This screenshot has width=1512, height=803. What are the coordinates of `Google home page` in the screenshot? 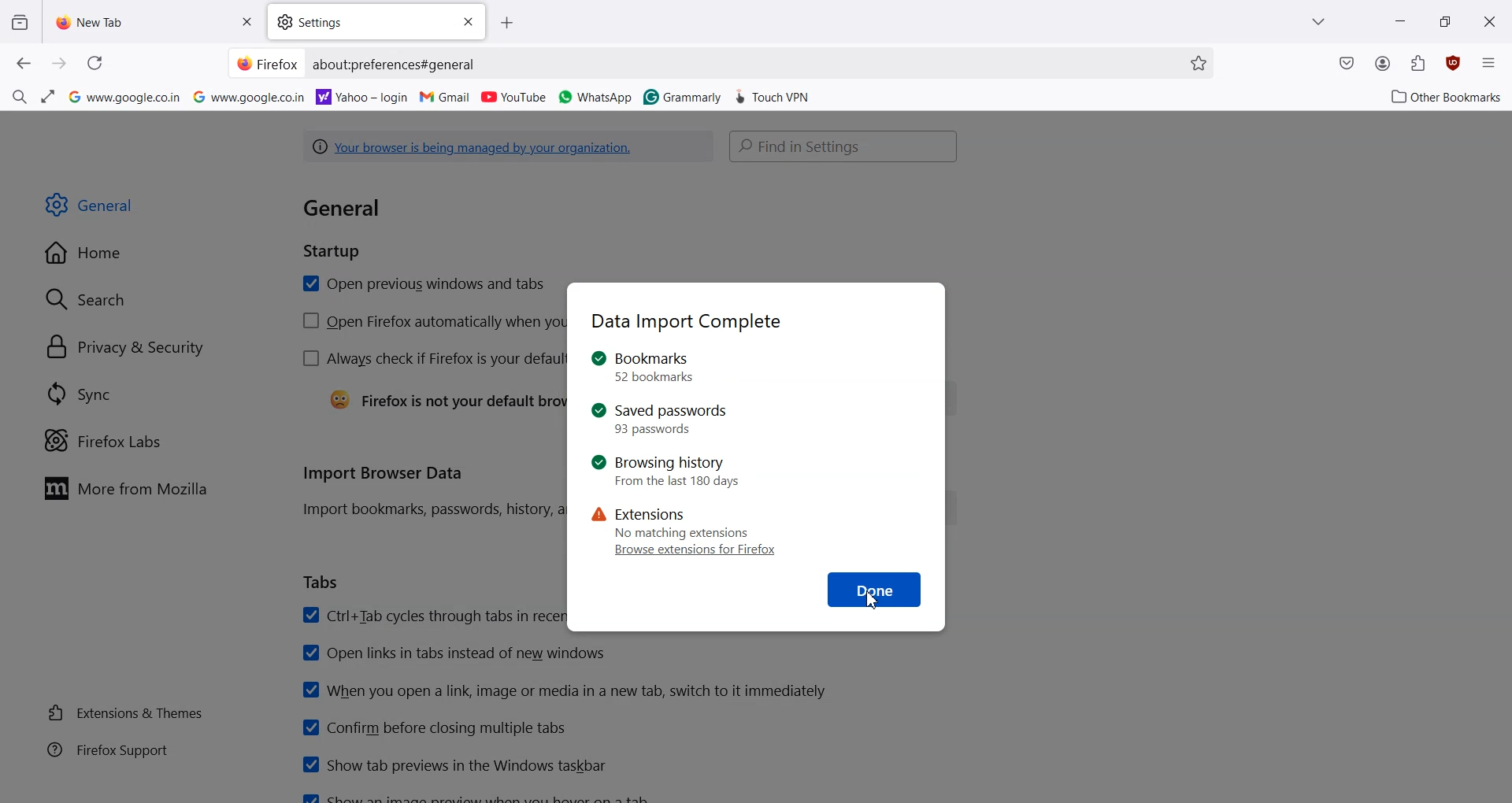 It's located at (125, 96).